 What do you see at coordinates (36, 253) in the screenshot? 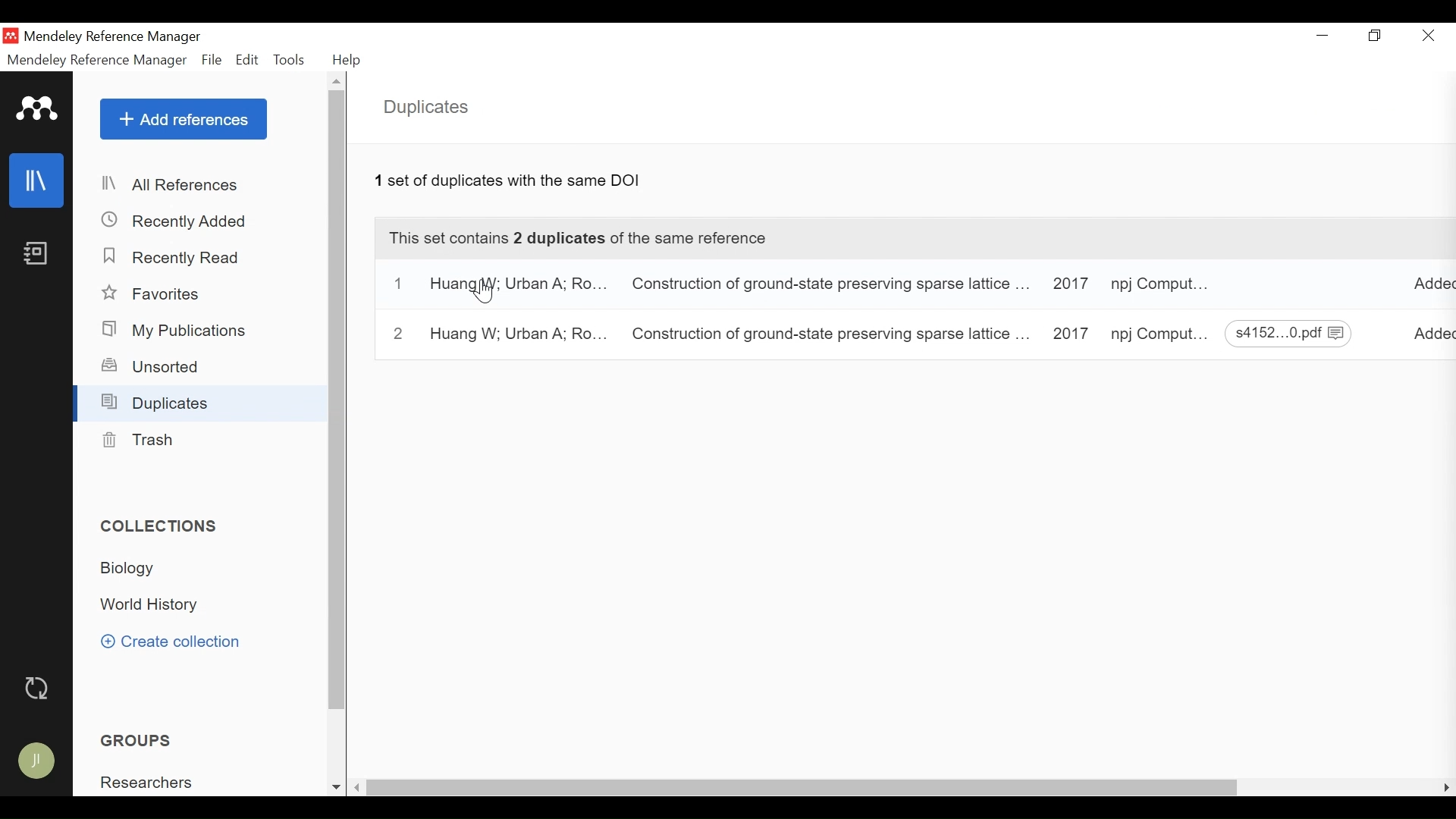
I see `Notebook` at bounding box center [36, 253].